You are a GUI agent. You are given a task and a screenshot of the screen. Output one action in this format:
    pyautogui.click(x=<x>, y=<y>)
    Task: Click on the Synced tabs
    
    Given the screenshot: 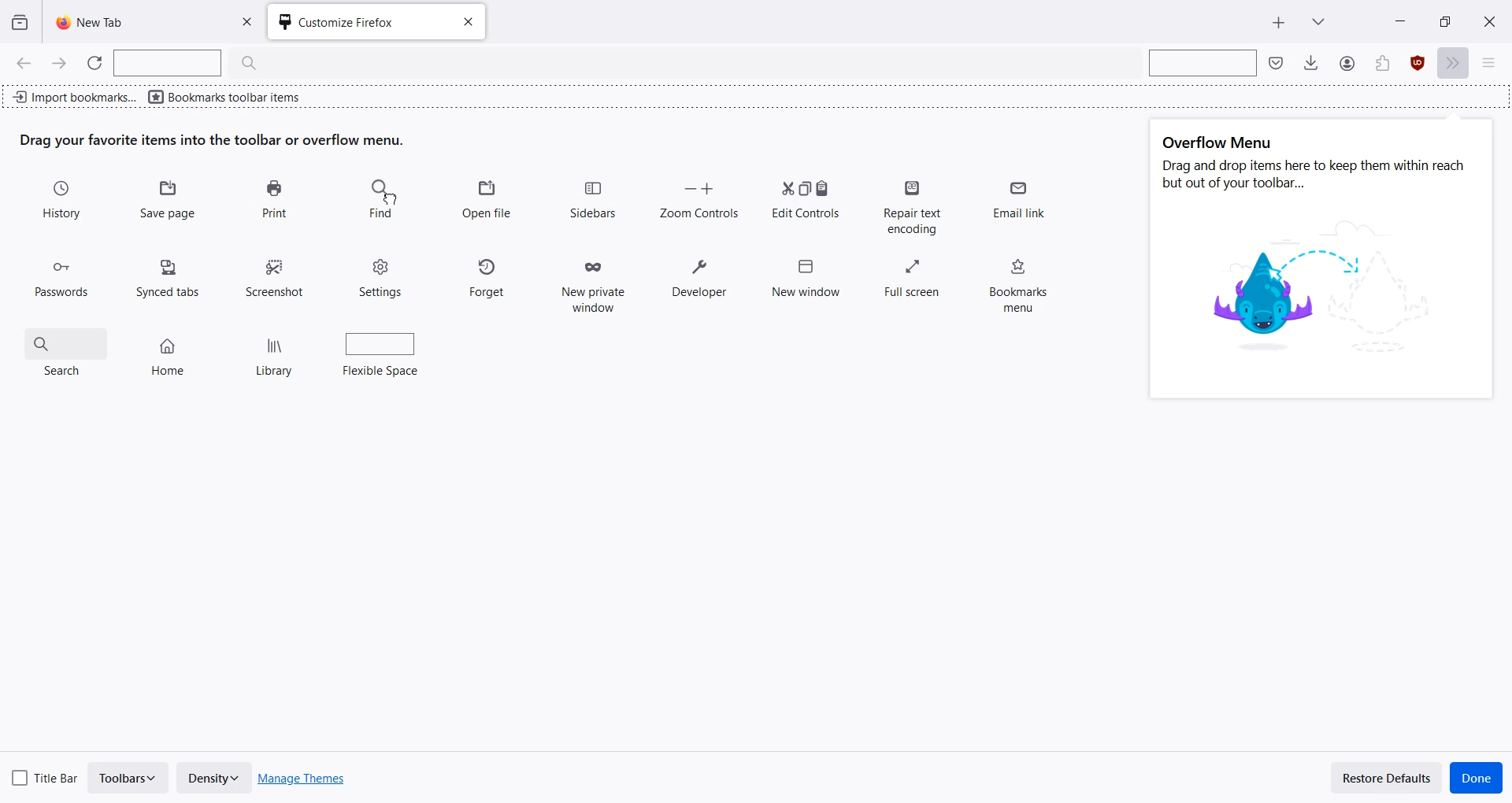 What is the action you would take?
    pyautogui.click(x=171, y=273)
    